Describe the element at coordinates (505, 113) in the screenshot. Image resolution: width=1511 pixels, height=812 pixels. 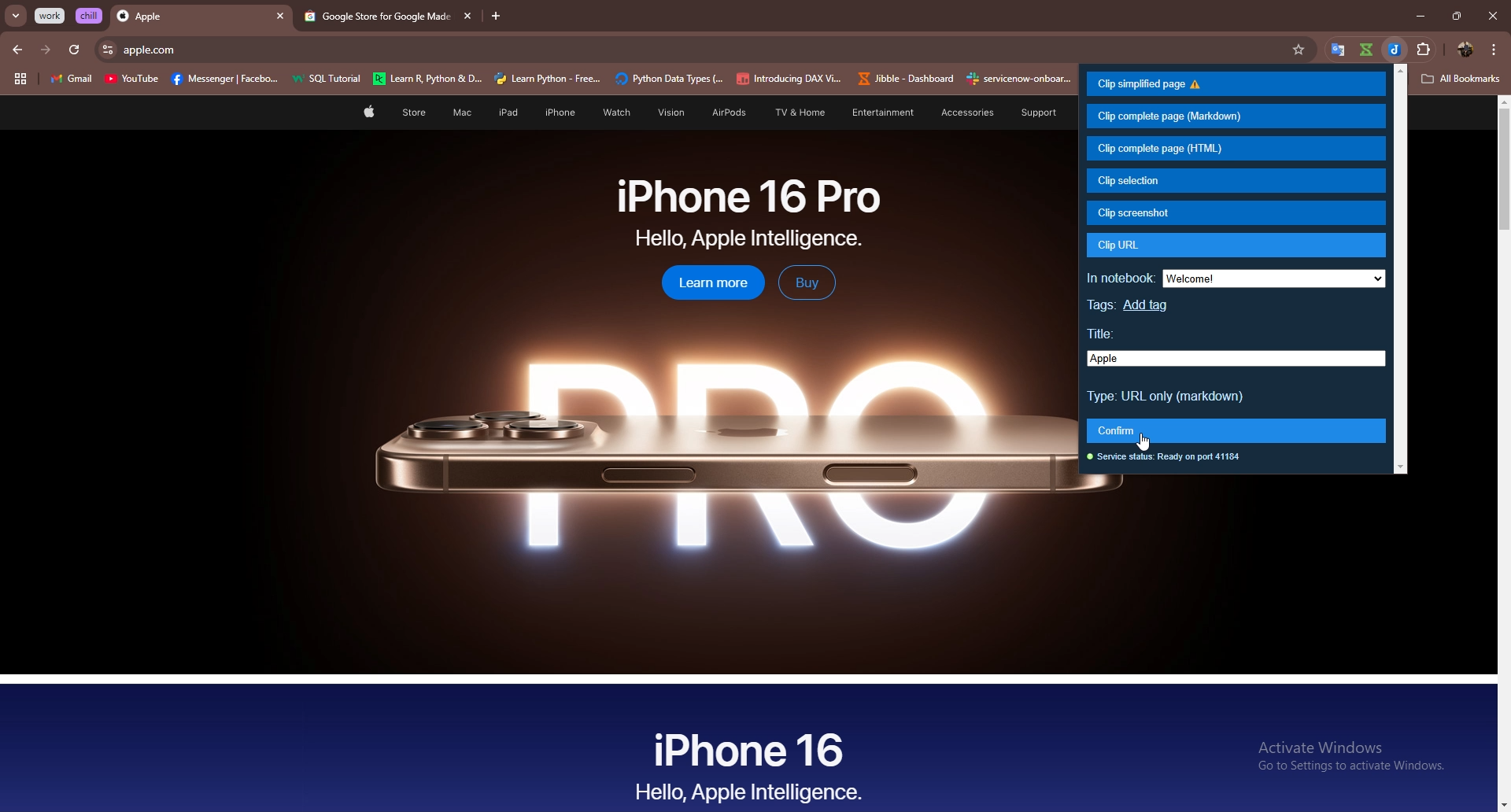
I see `iPad` at that location.